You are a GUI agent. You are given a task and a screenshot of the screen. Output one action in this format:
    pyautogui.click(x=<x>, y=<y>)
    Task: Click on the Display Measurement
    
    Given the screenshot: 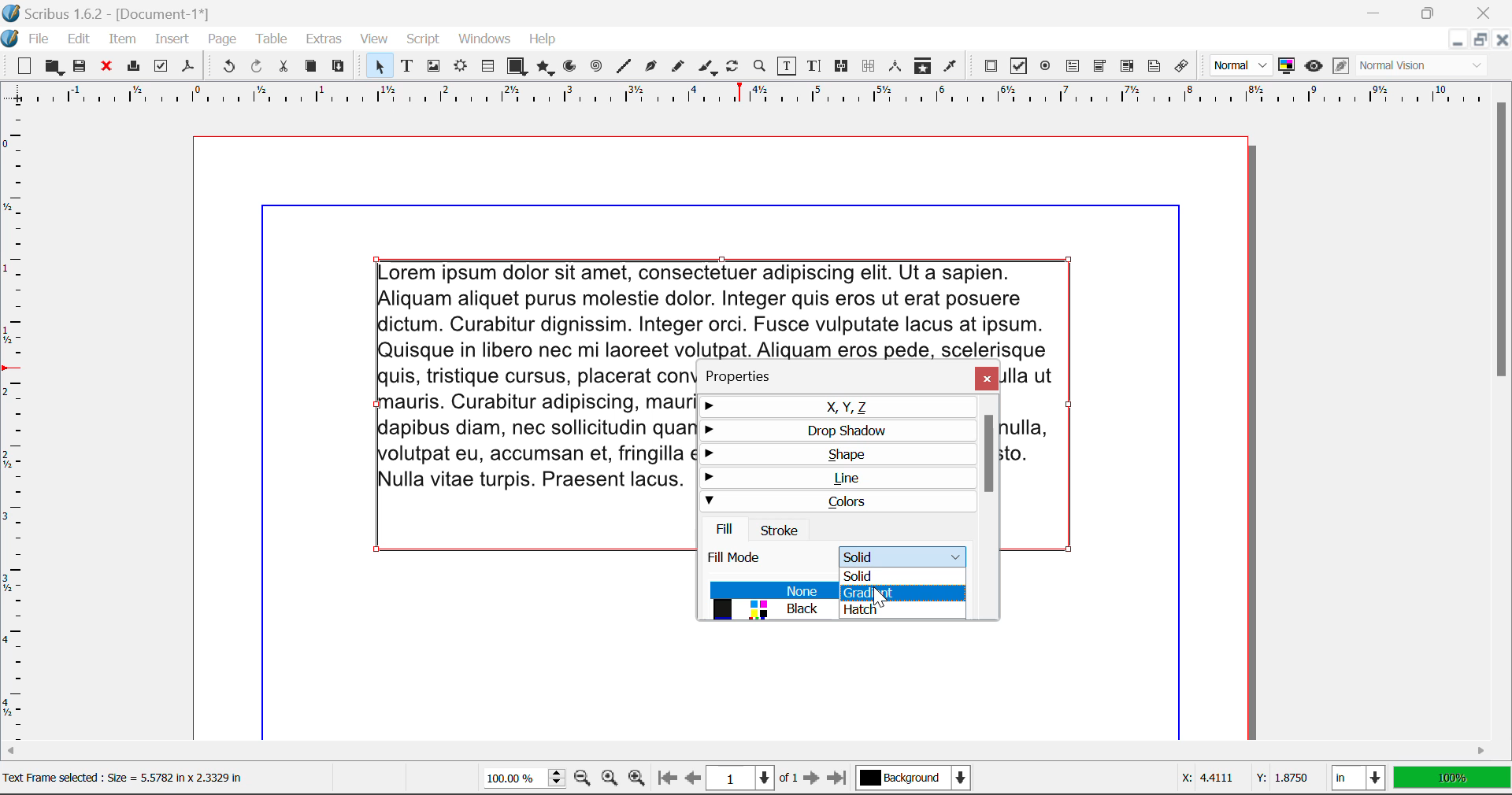 What is the action you would take?
    pyautogui.click(x=1452, y=780)
    